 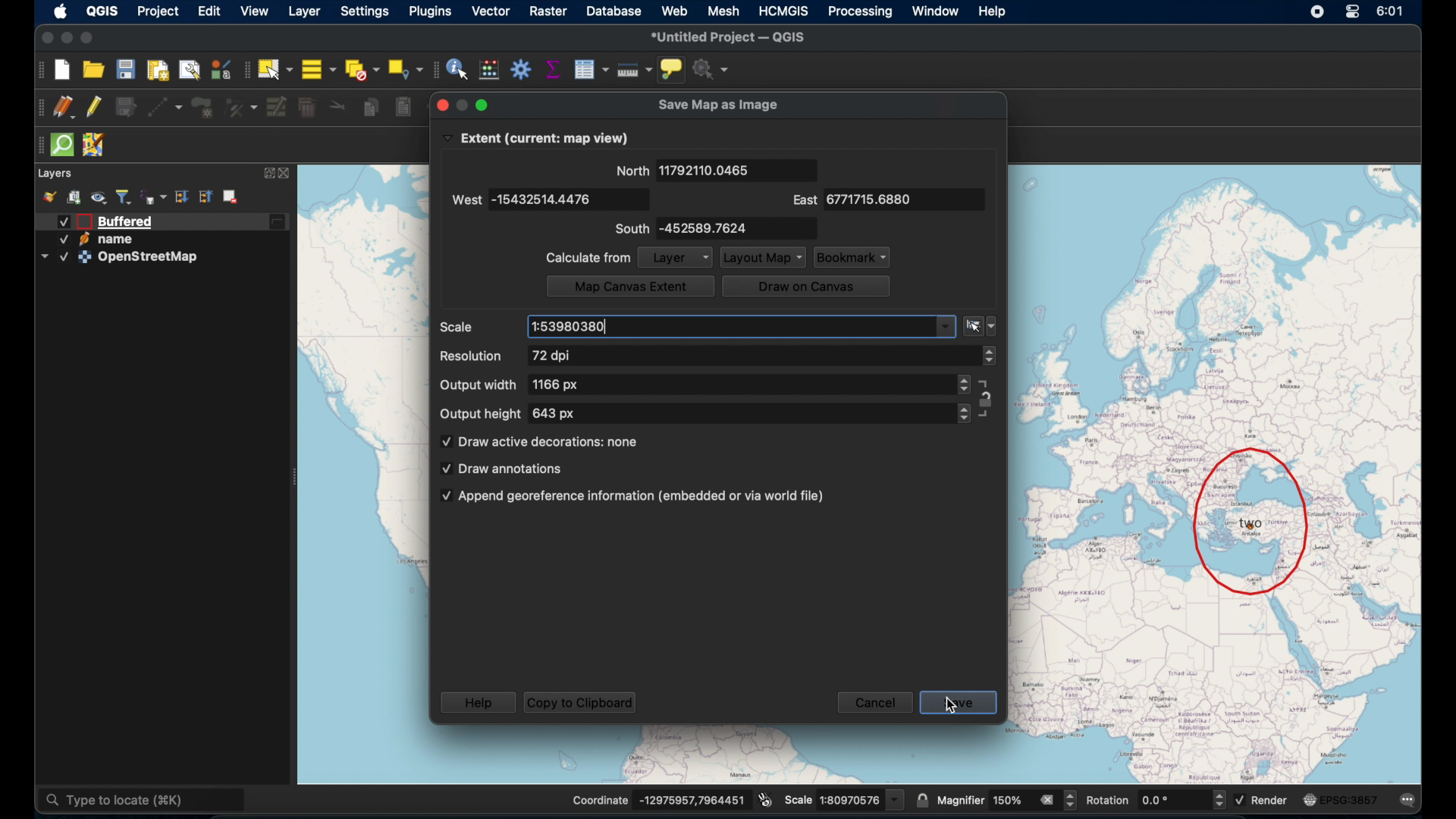 I want to click on save project, so click(x=125, y=70).